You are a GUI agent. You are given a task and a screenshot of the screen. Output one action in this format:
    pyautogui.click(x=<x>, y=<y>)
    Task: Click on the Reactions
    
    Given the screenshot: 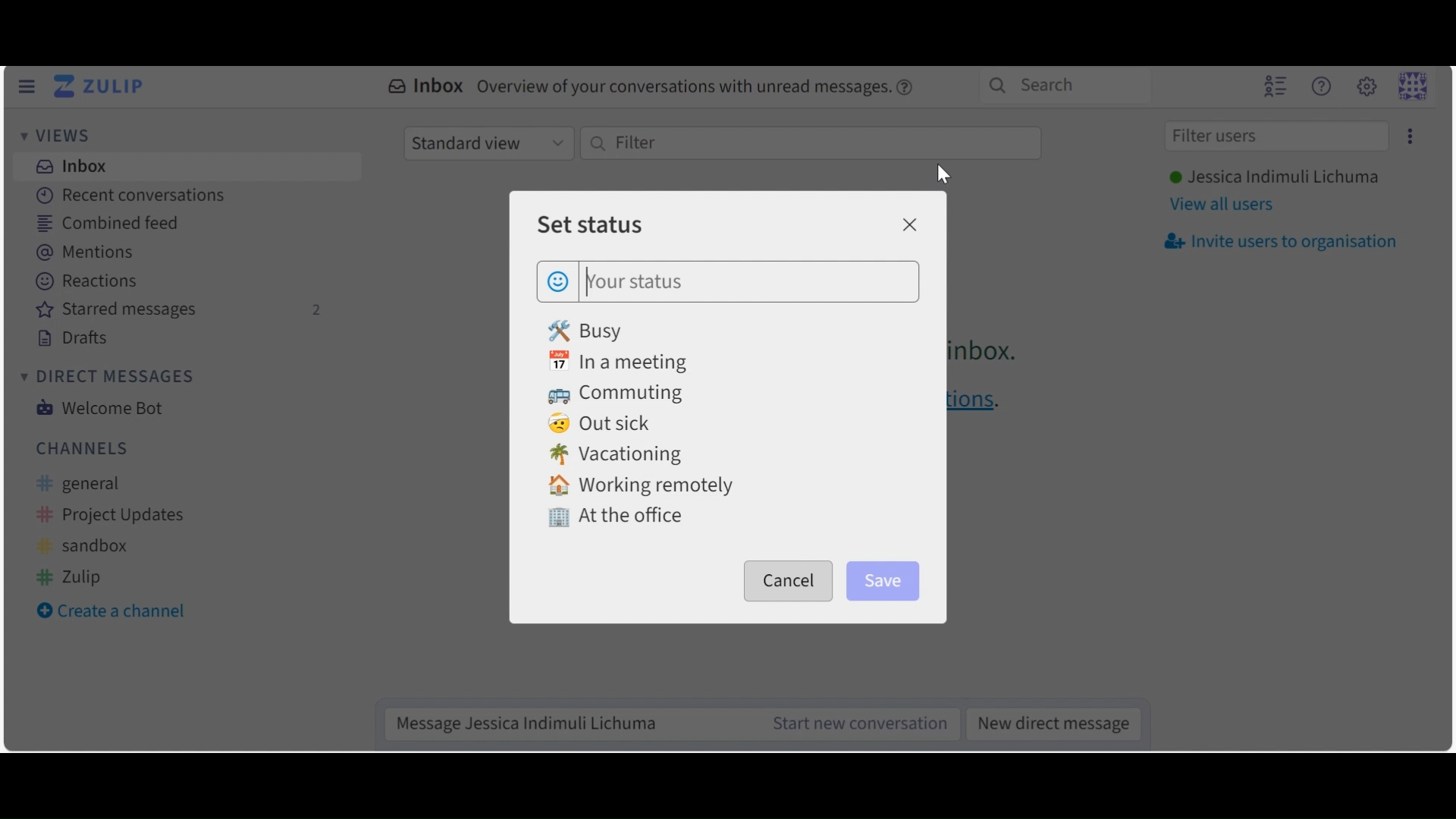 What is the action you would take?
    pyautogui.click(x=89, y=282)
    